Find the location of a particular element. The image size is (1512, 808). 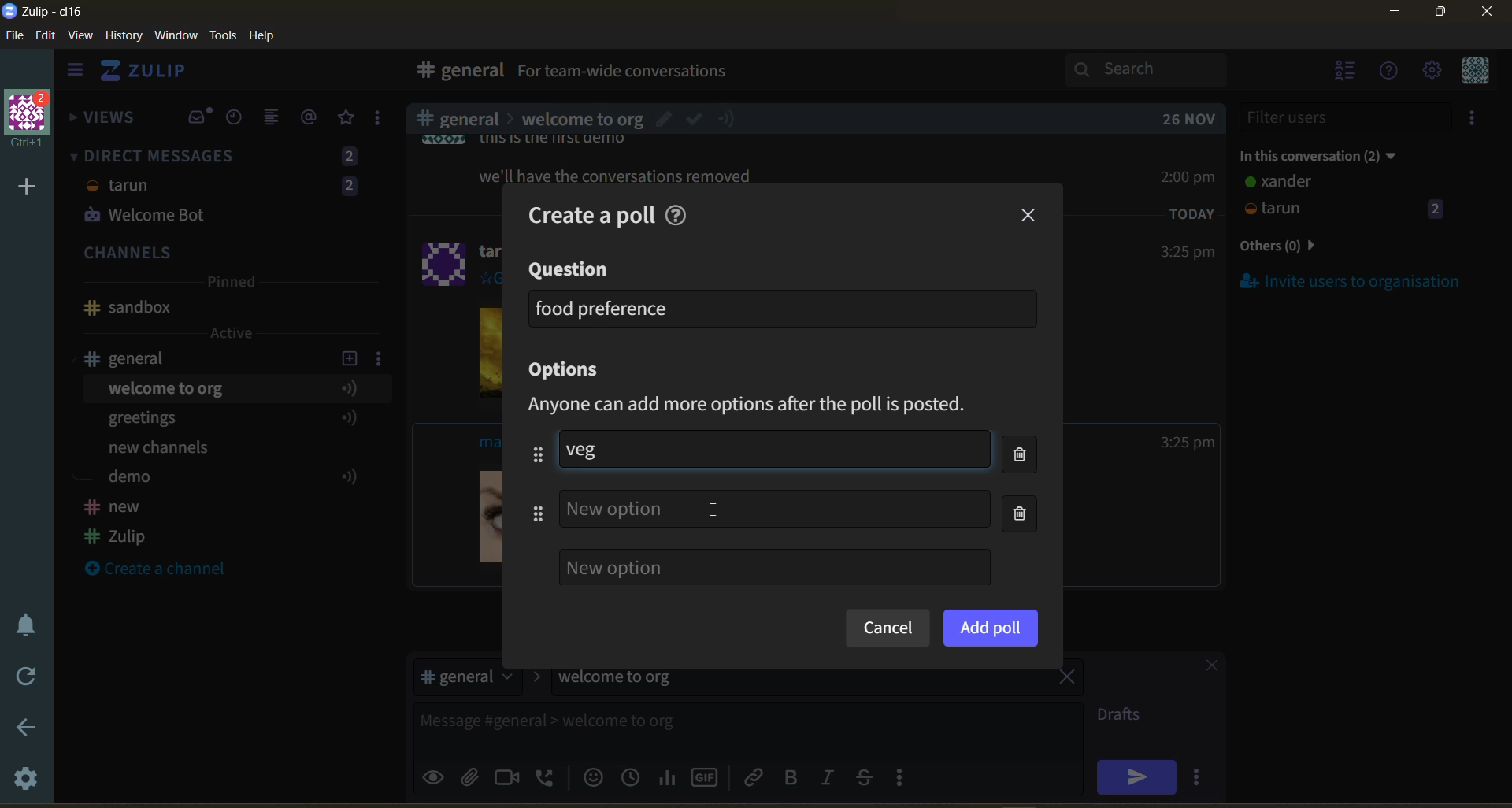

rearrange is located at coordinates (529, 484).